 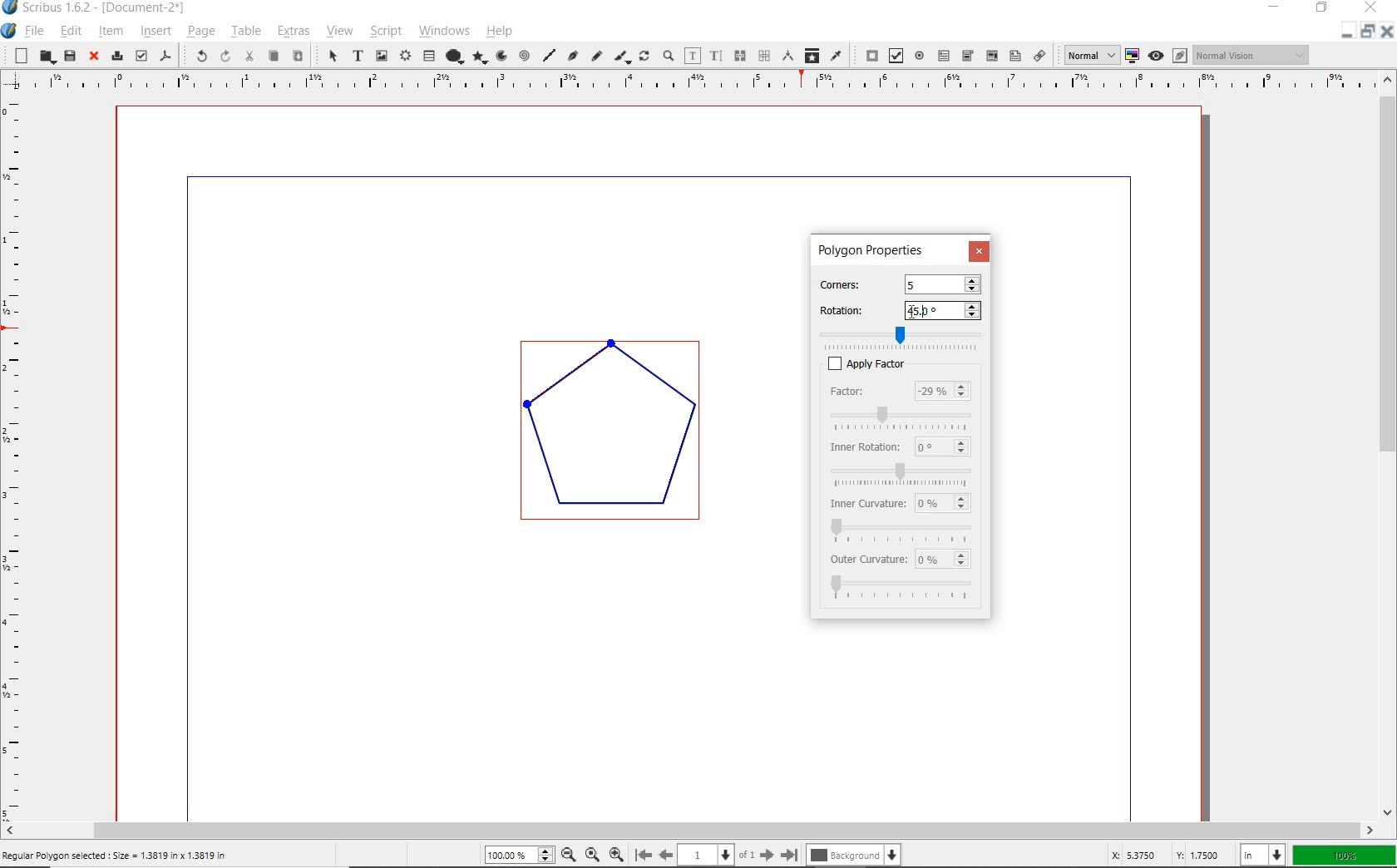 I want to click on Bezier curve, so click(x=570, y=56).